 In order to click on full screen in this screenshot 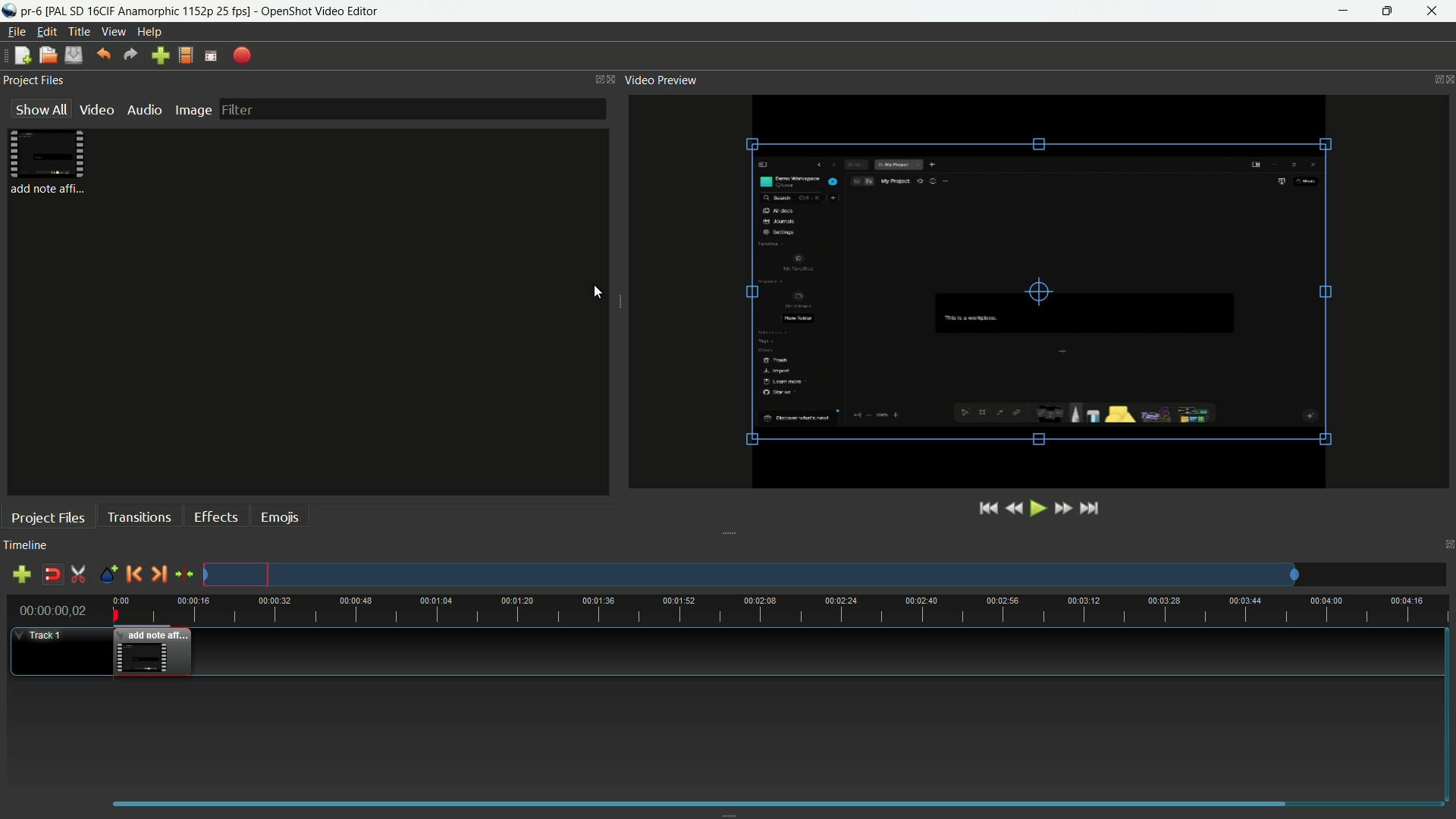, I will do `click(210, 56)`.